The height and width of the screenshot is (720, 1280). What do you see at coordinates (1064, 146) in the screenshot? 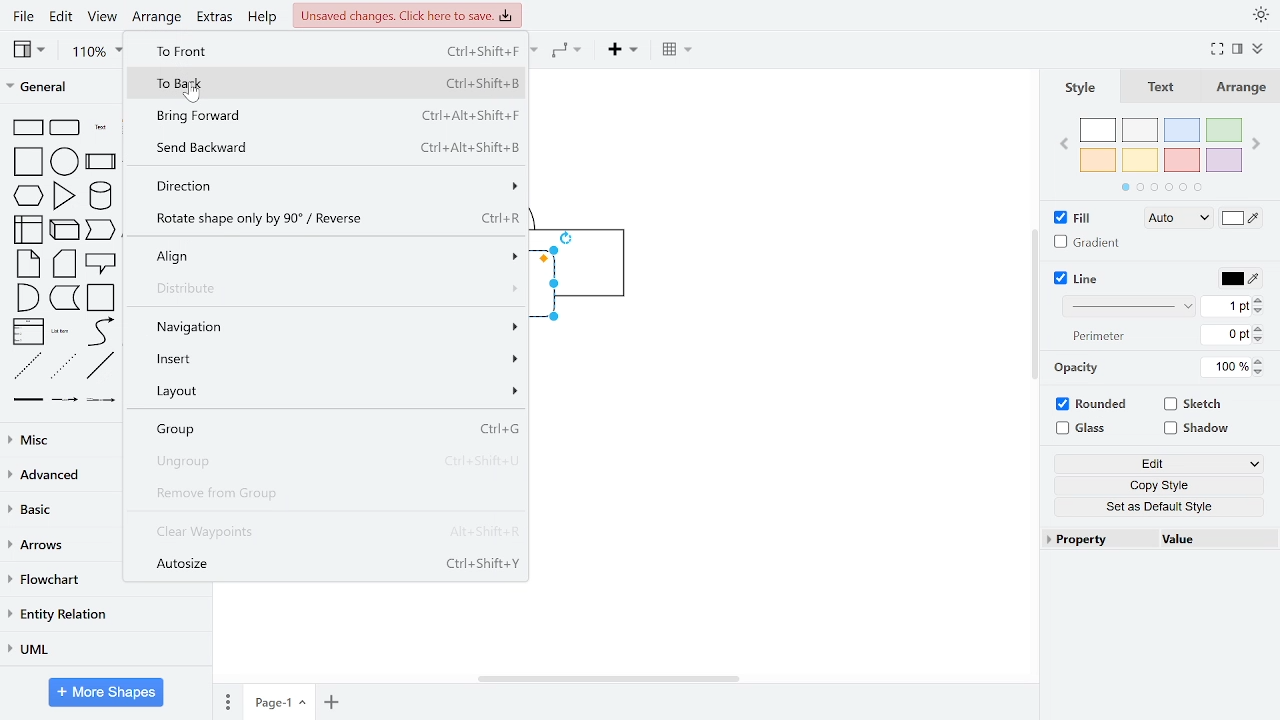
I see `previous` at bounding box center [1064, 146].